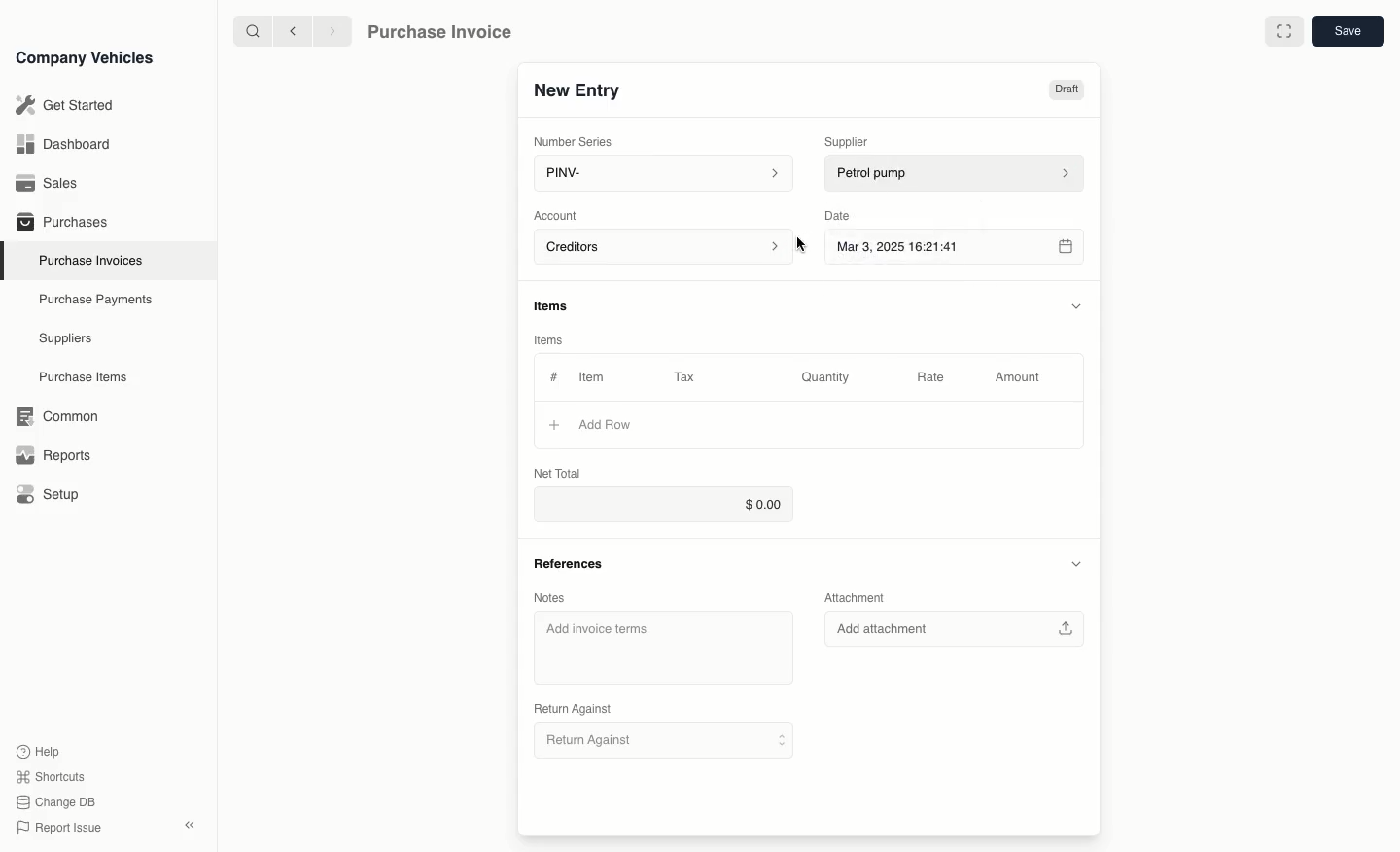  I want to click on collapse, so click(1075, 564).